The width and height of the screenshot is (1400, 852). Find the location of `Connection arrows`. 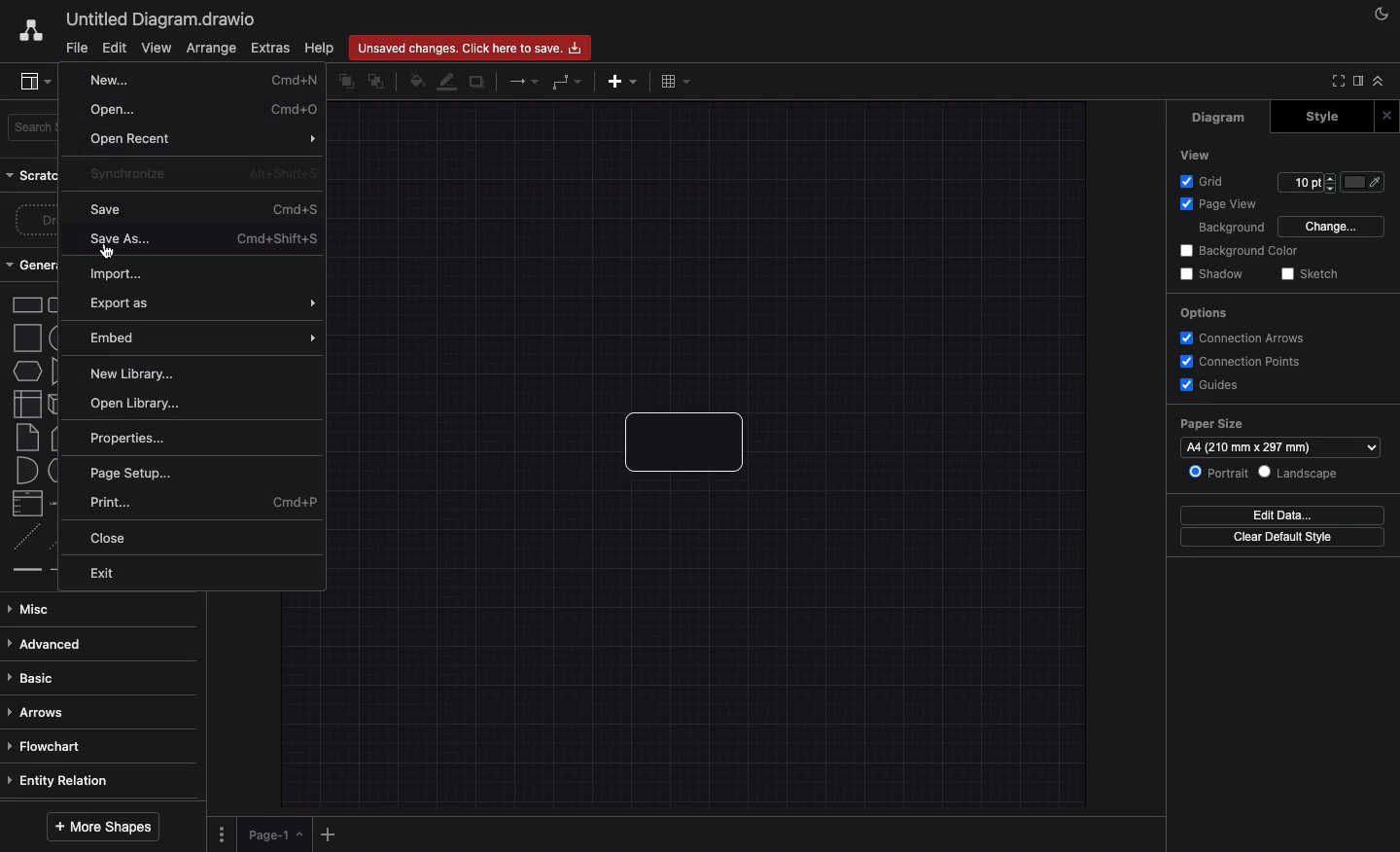

Connection arrows is located at coordinates (1246, 338).